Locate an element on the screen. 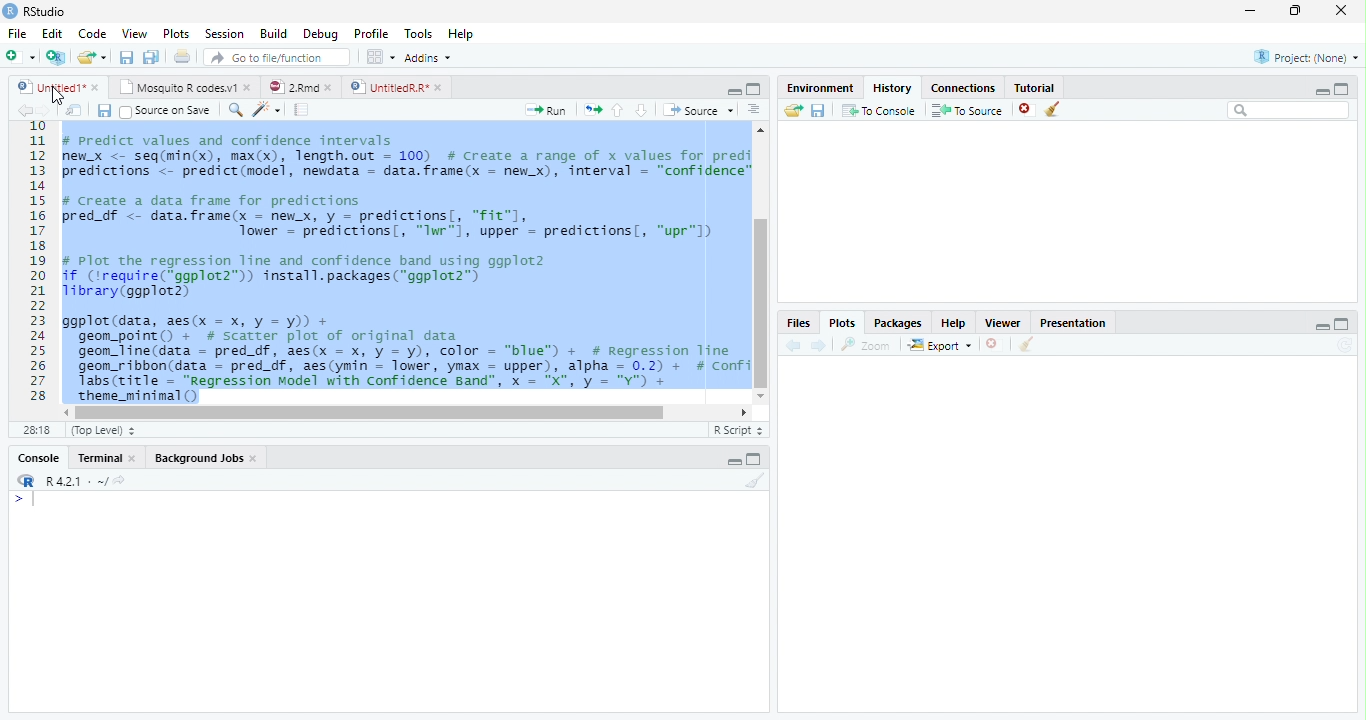 This screenshot has height=720, width=1366. #predict values and confidence intervalsew_x <- seq(min(x), max(x), length.out = 100) # Create a range of x values for prediredictions <- predict(model, newdata = data.frame(x = new_x), interval = “confidence”/ Create a data frame for predictionsred_df <- data.frame(x - newx, y = predictions[, "fit"],Tower = predictions, “Iwr"1, upper = predictions, “upr"l)Plot the regression line and confidence band using ggplot2f (irequire(*ggplot2”)) install.packages(“ggplot2”)ibrary(ggplot2)gplot (data, aes(x = x, y = y)) +geom_point() + # scatter plot of original datageon_line(data = pred_df, aes(x = x, y = y), color = “blue”) + # Regression Tinegeom_ribbon(data = pred_df, aes(ymin = lower, ymax = upper), alpha = 0.2) + # ConfiTabs(title = “Regression Model with Confidence Band", x = "X", y = "Y") +SESS(LITIE = WN - is located at coordinates (404, 267).